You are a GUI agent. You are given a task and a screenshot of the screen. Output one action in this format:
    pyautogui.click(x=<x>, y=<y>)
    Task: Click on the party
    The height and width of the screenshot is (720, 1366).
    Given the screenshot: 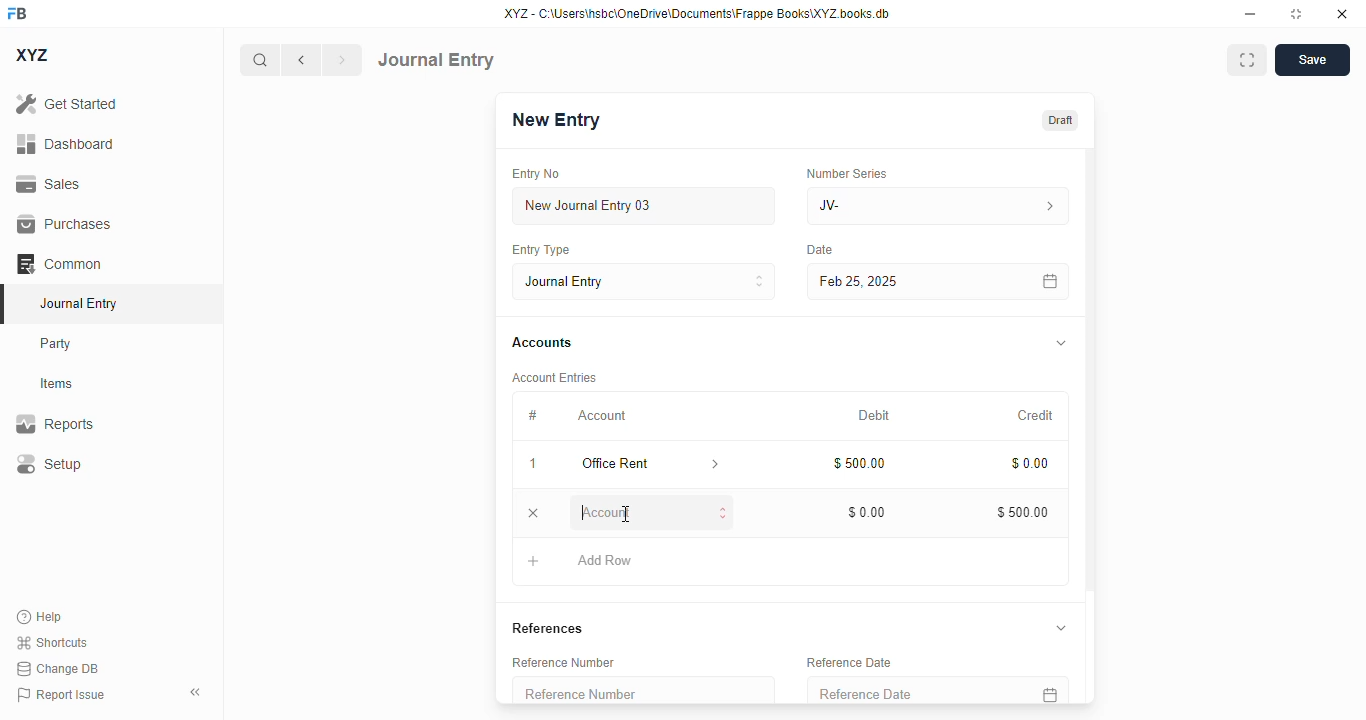 What is the action you would take?
    pyautogui.click(x=56, y=344)
    